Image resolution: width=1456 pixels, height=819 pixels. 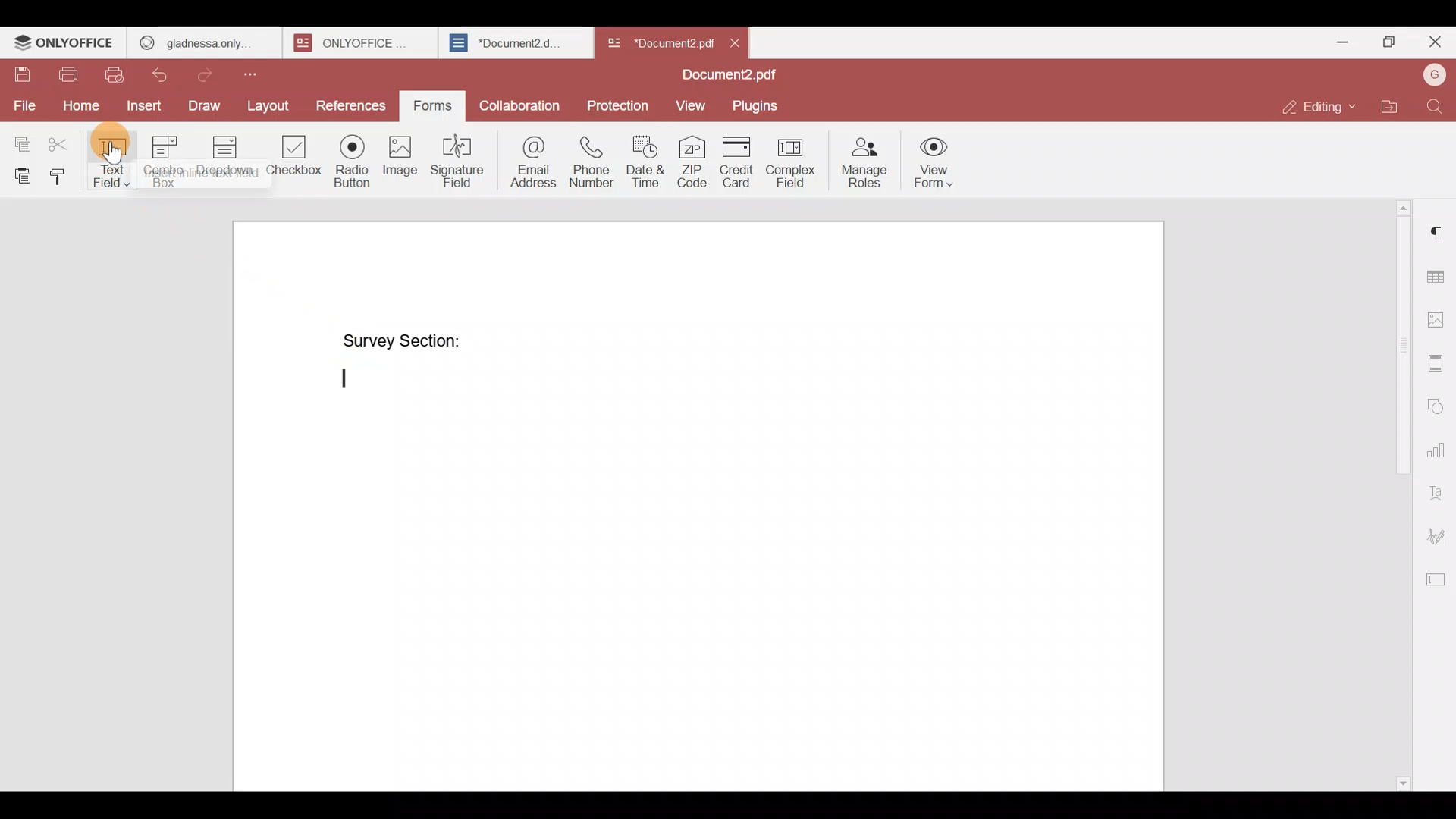 I want to click on text cursor, so click(x=344, y=377).